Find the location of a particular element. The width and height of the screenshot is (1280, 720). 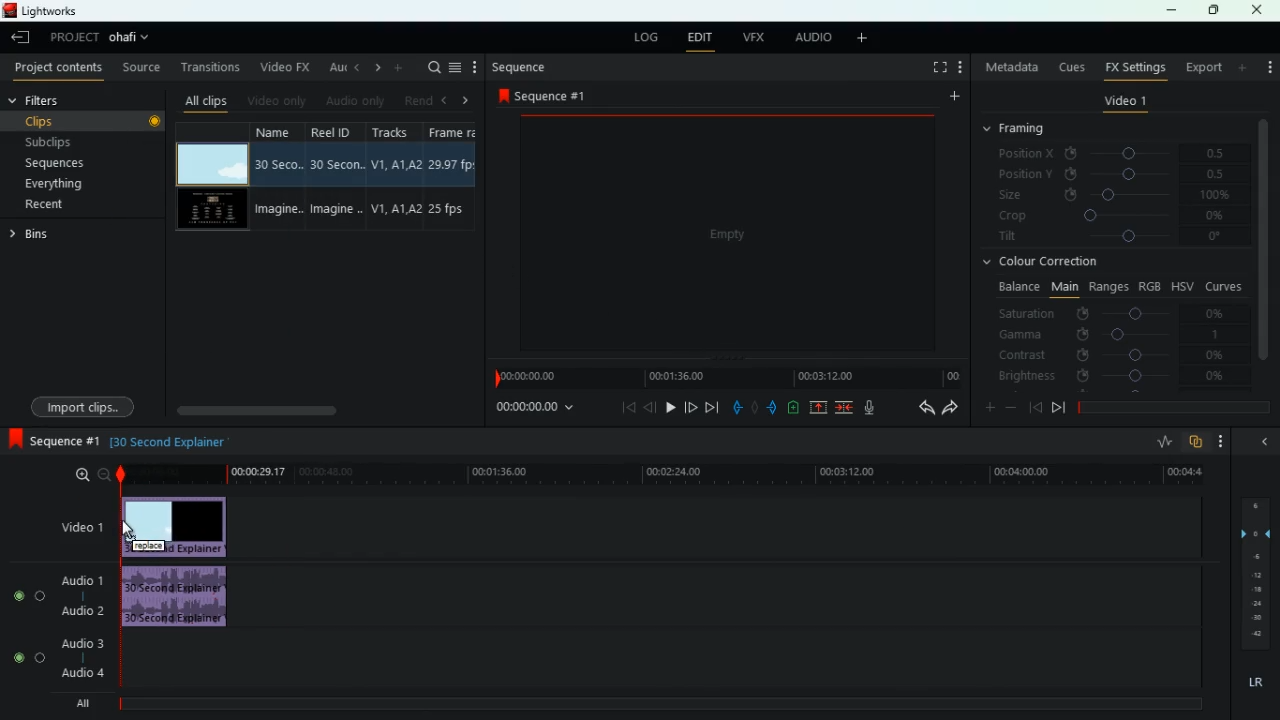

radio button is located at coordinates (25, 621).